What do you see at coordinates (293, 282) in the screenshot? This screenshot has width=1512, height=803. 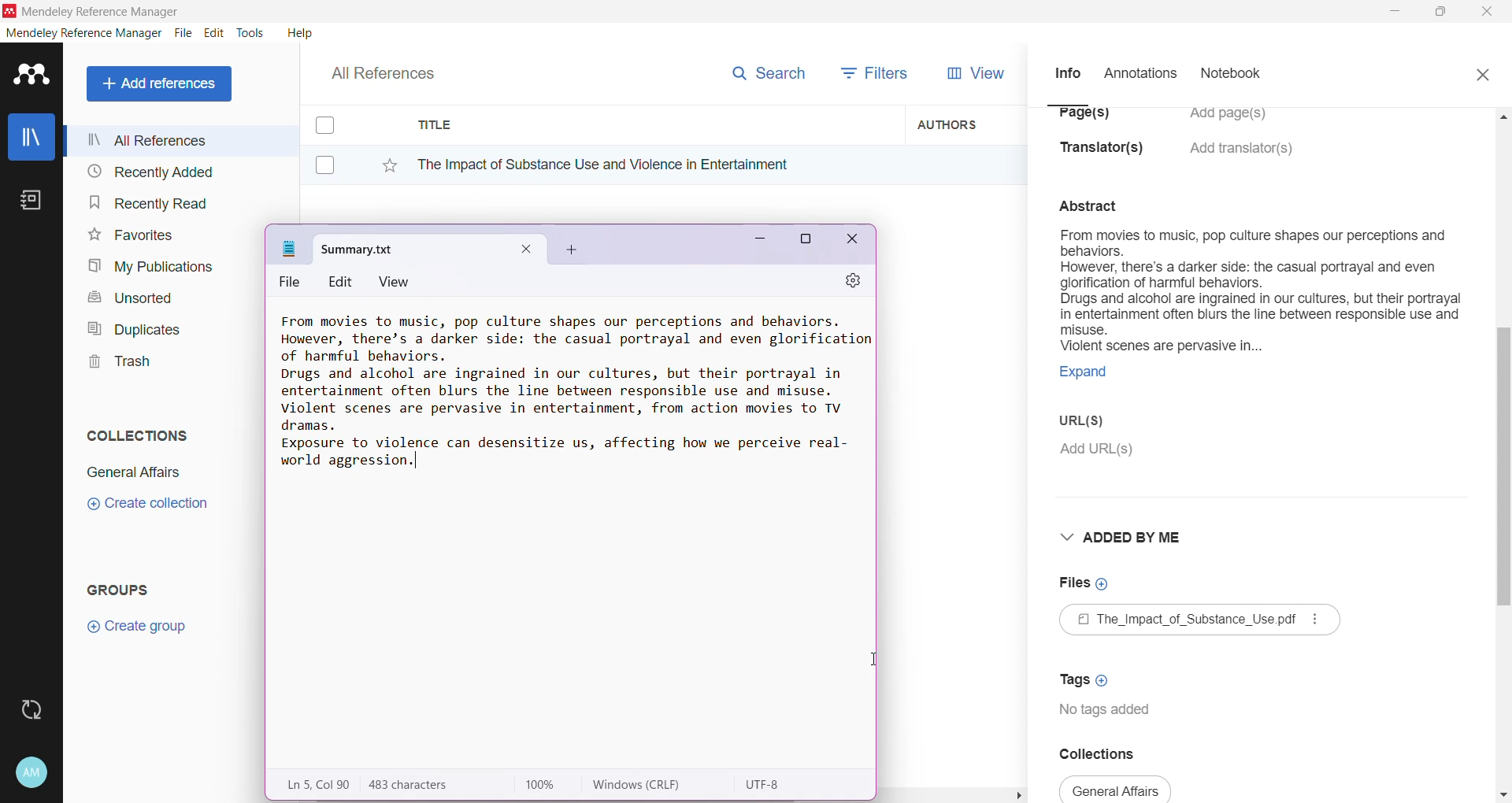 I see `File` at bounding box center [293, 282].